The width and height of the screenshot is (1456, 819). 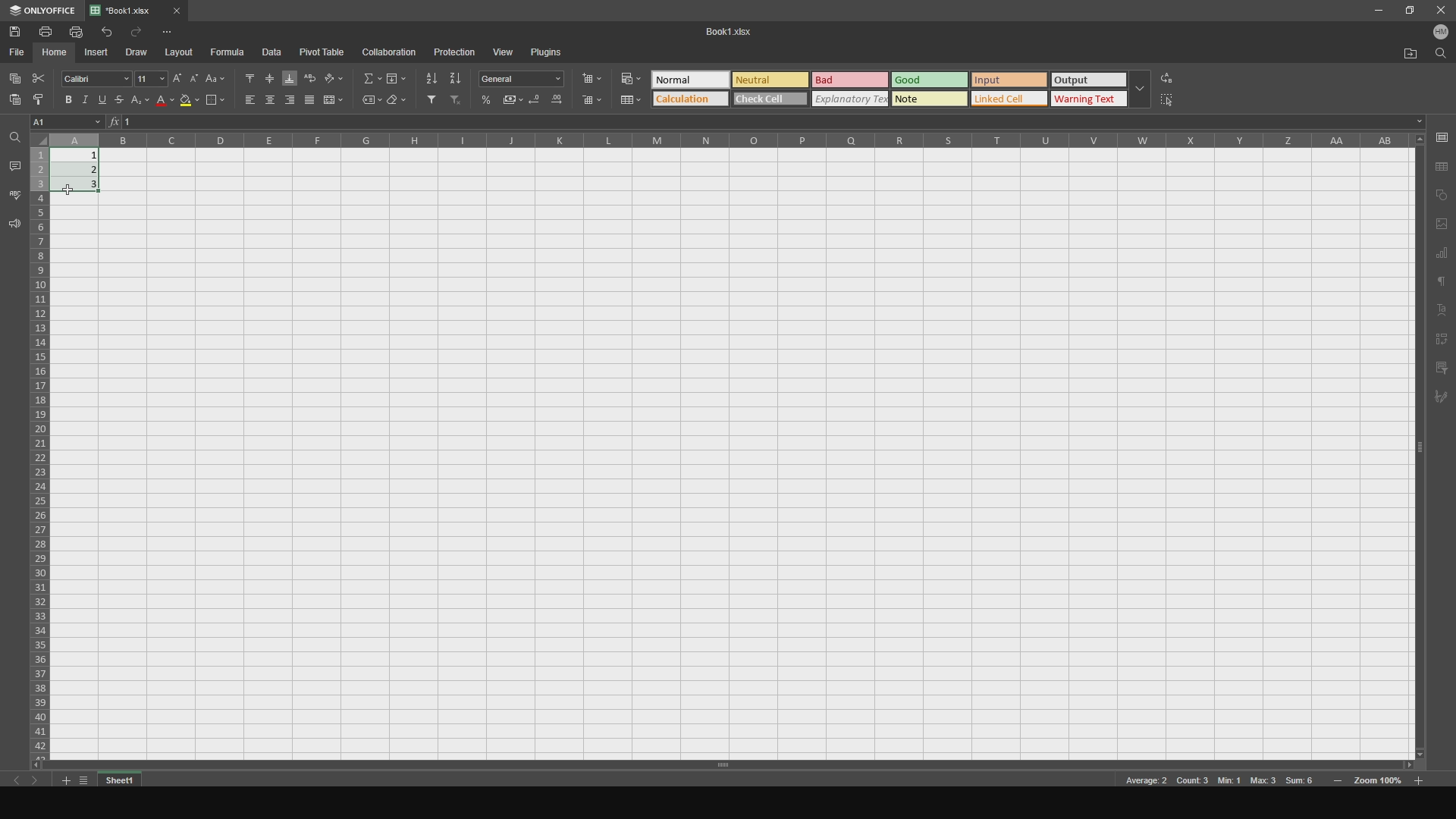 What do you see at coordinates (78, 190) in the screenshot?
I see `cursor` at bounding box center [78, 190].